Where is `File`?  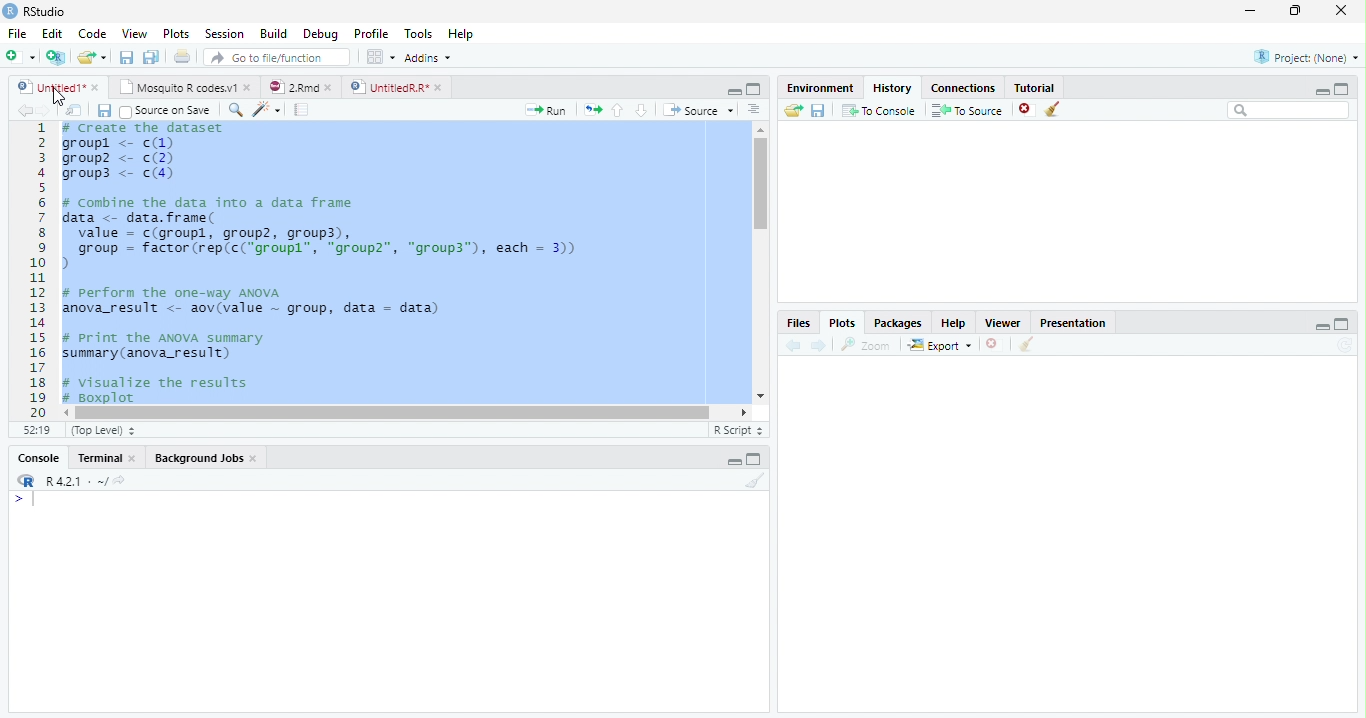 File is located at coordinates (15, 31).